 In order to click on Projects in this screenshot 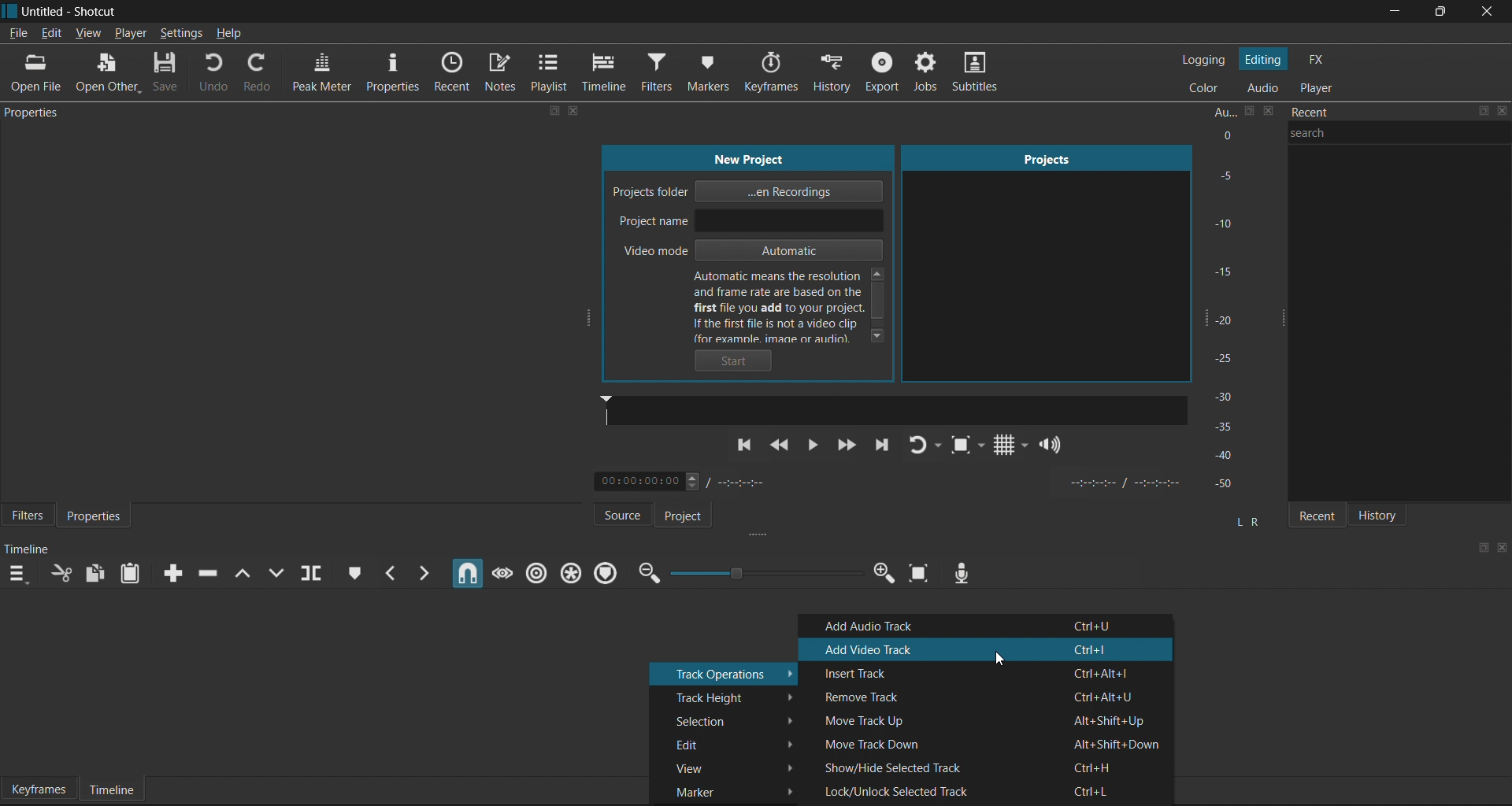, I will do `click(1037, 260)`.